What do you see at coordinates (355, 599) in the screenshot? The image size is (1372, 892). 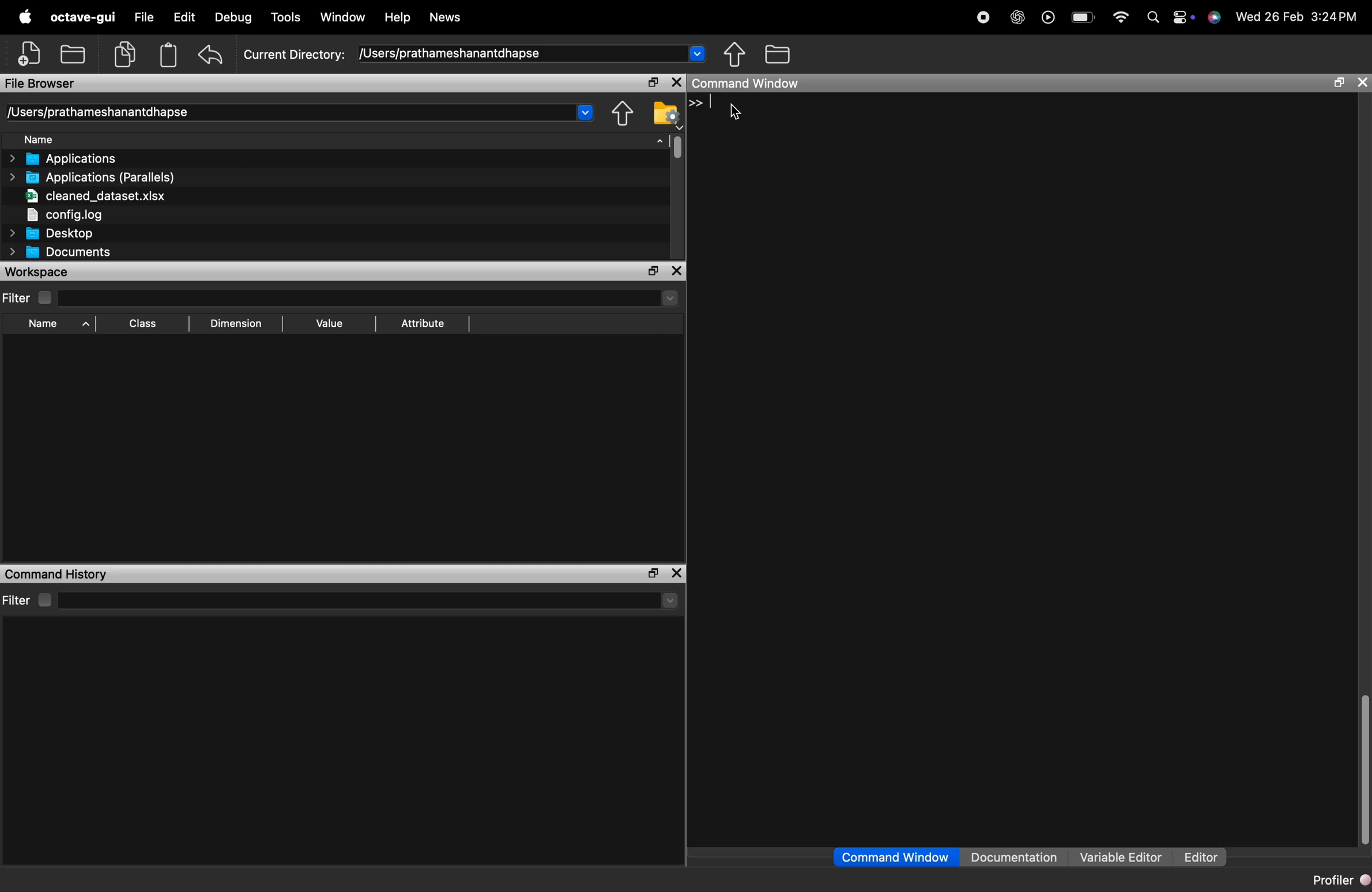 I see `Search box` at bounding box center [355, 599].